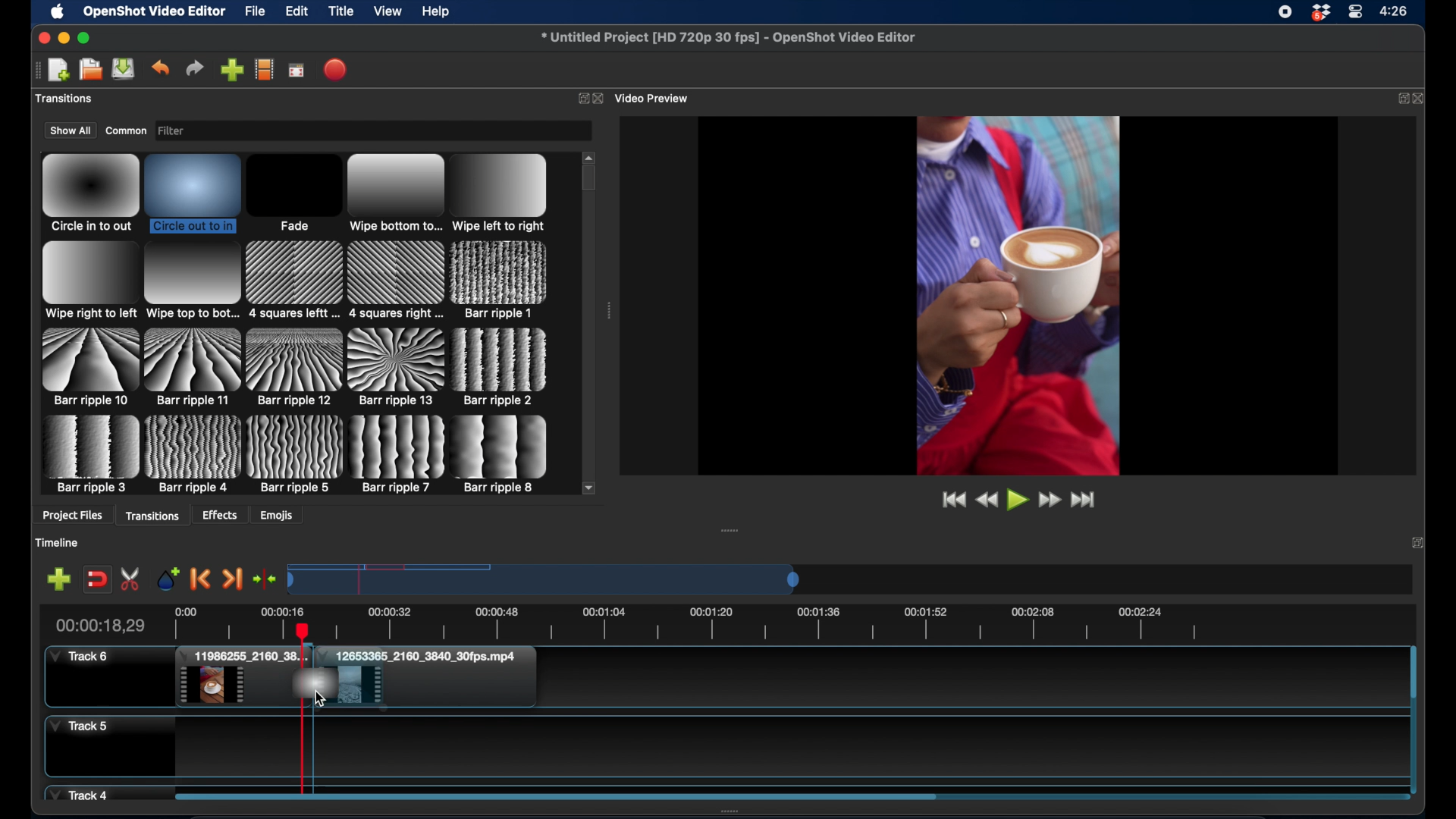  Describe the element at coordinates (1086, 500) in the screenshot. I see `jump to end` at that location.